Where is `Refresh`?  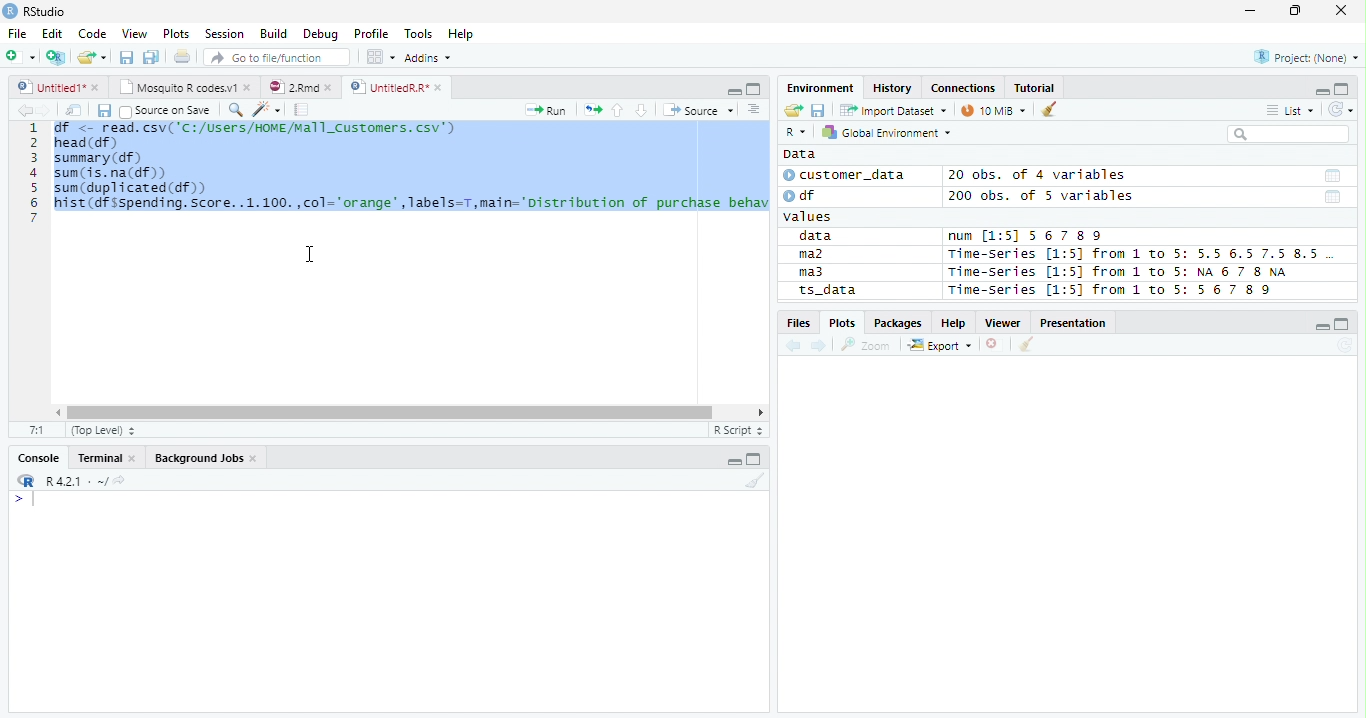 Refresh is located at coordinates (1341, 107).